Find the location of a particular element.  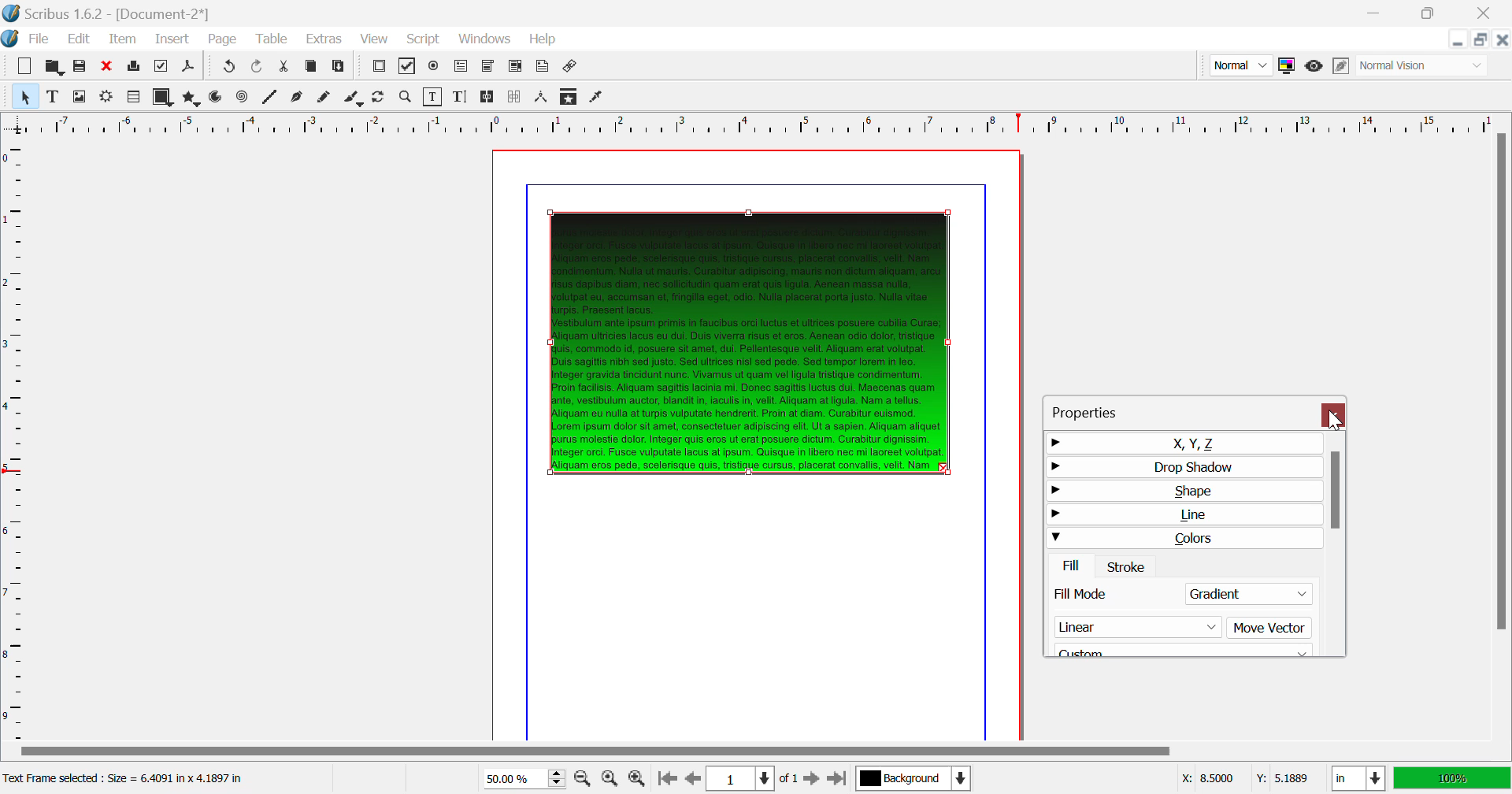

Redo is located at coordinates (227, 68).